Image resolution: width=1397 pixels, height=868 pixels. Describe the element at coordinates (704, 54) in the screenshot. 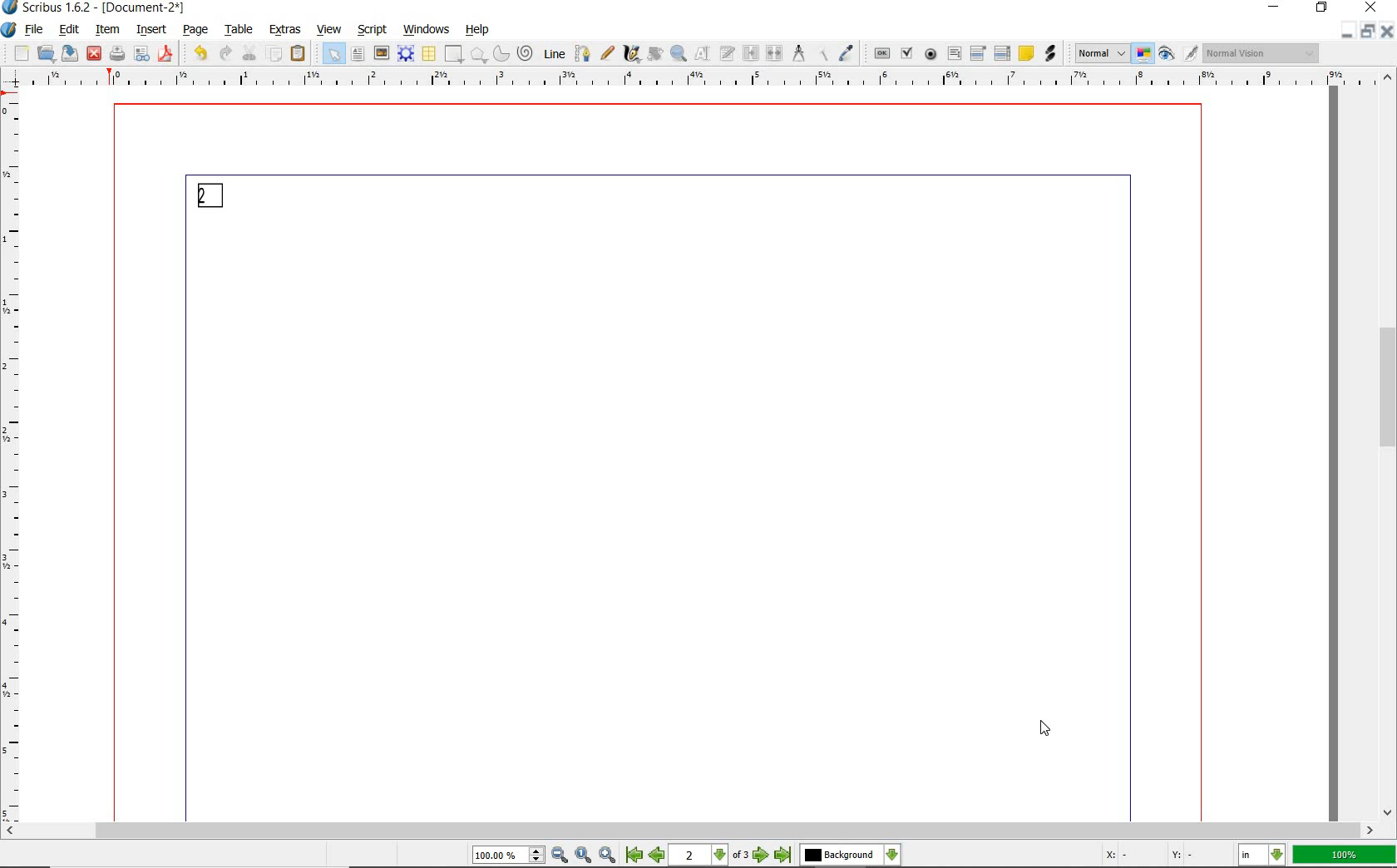

I see `edit contents of frame` at that location.